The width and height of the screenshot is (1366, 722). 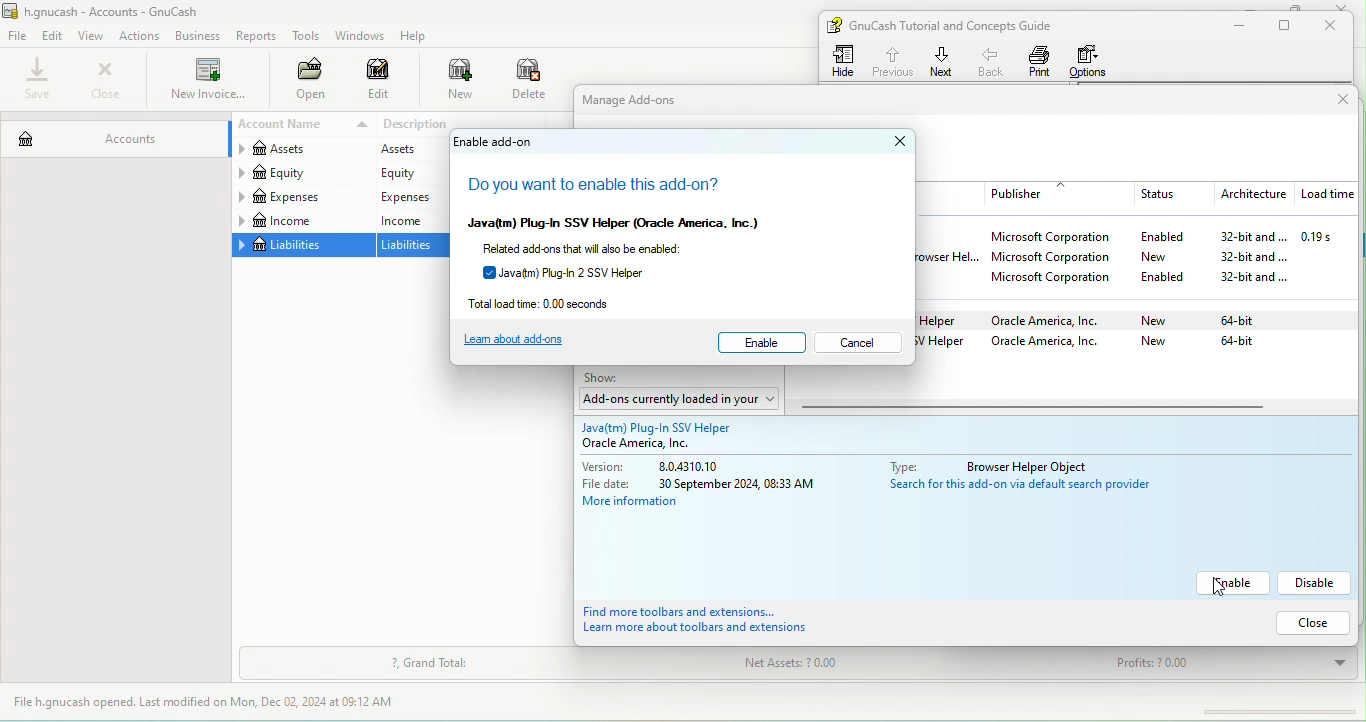 I want to click on file, so click(x=18, y=37).